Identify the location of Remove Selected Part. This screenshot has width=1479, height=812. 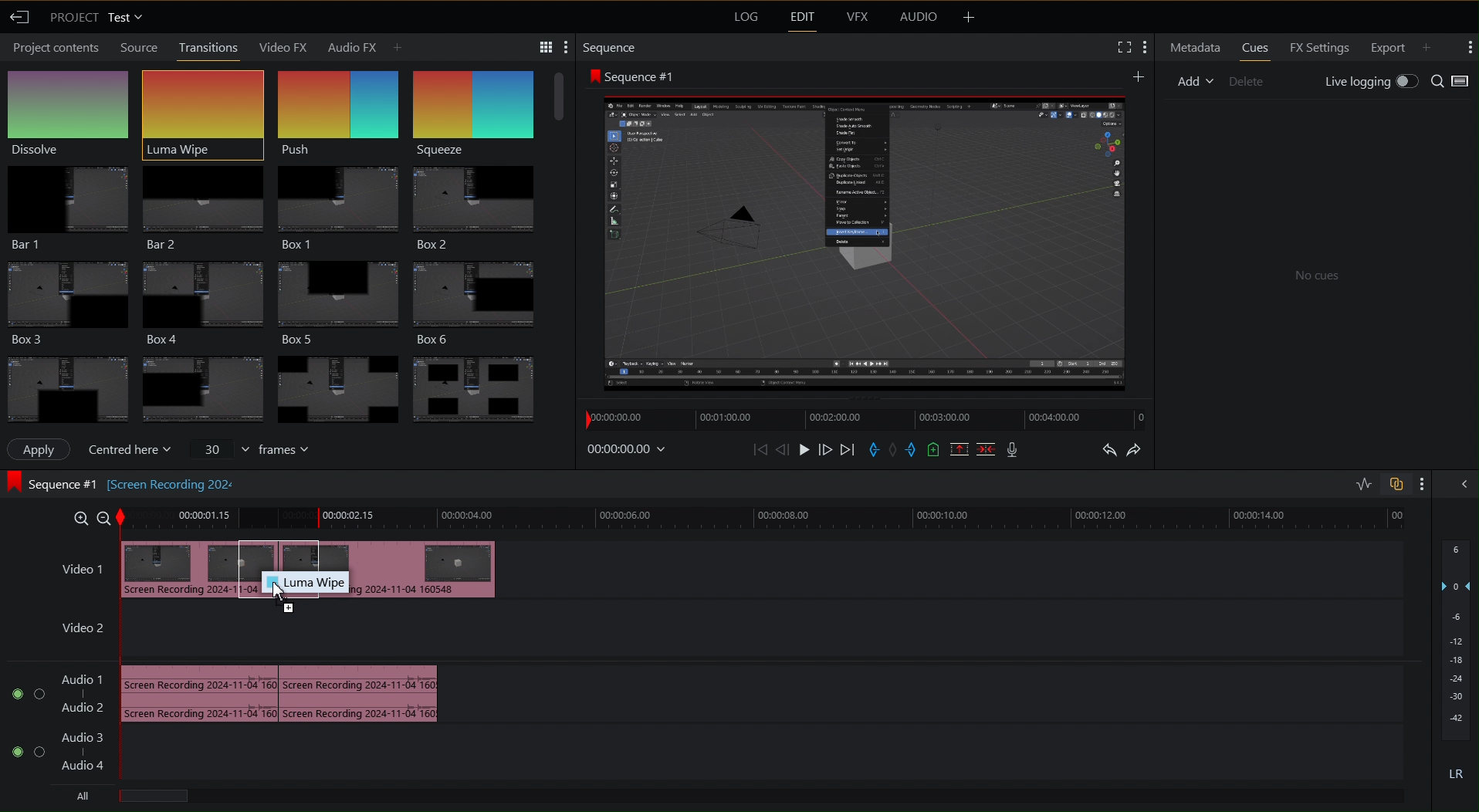
(960, 449).